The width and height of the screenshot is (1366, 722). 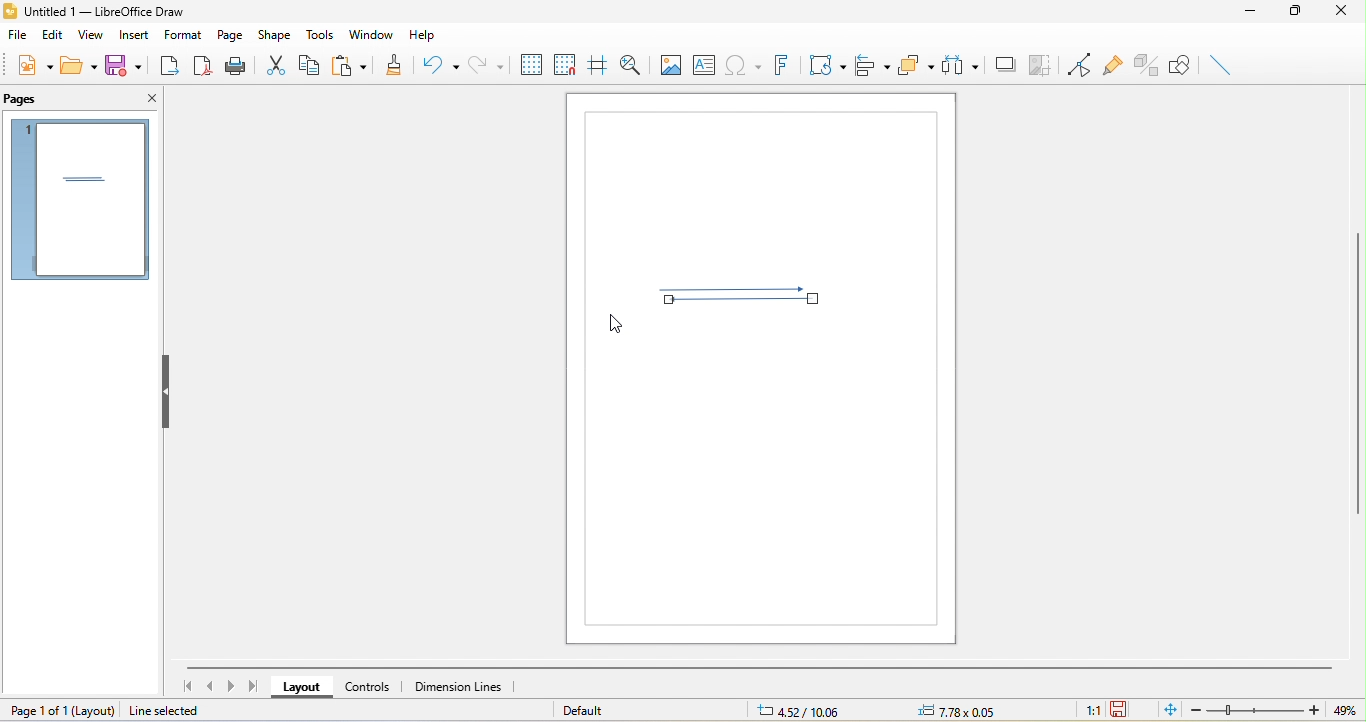 What do you see at coordinates (780, 65) in the screenshot?
I see `font work text` at bounding box center [780, 65].